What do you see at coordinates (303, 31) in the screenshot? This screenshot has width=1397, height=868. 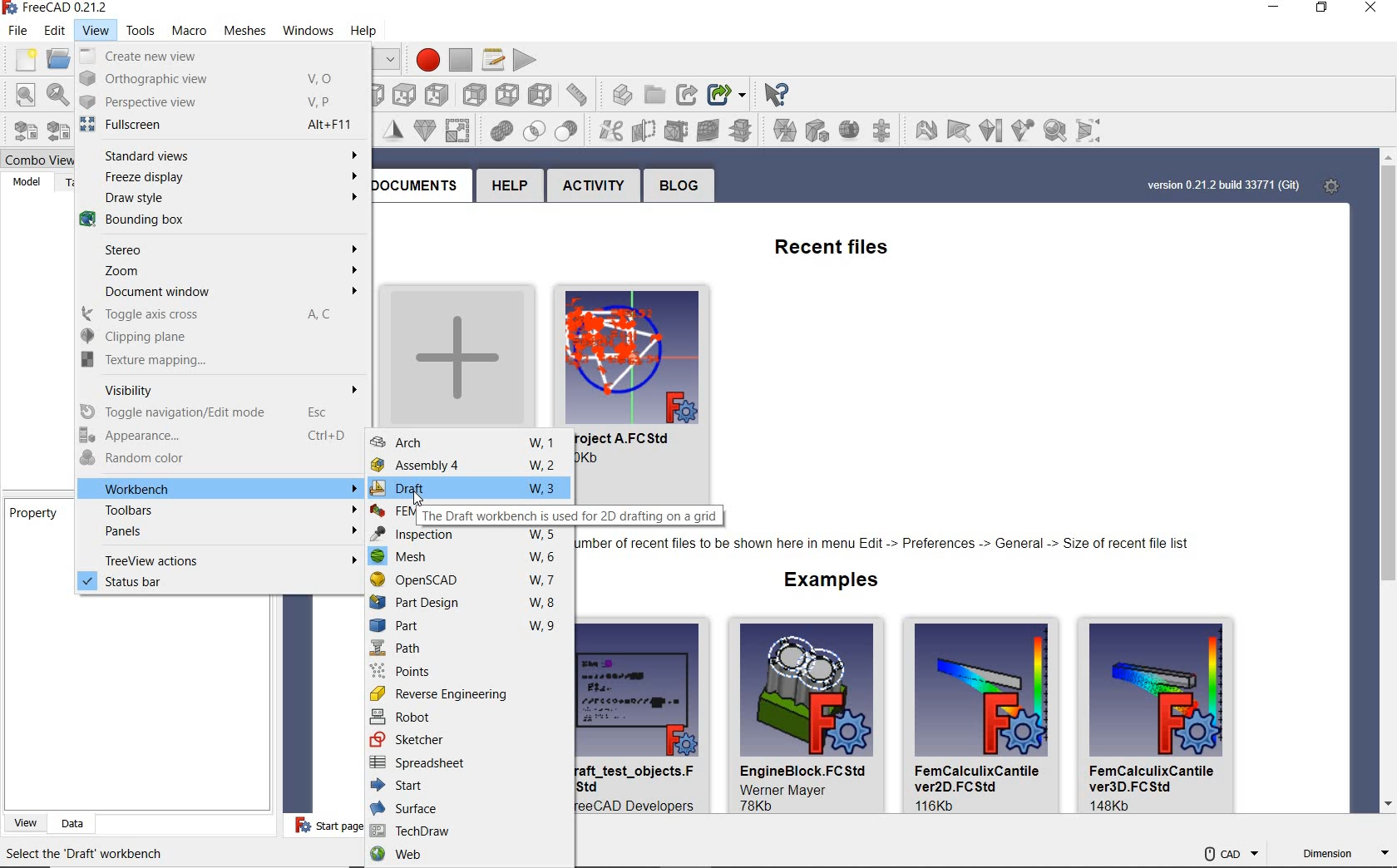 I see `windows` at bounding box center [303, 31].